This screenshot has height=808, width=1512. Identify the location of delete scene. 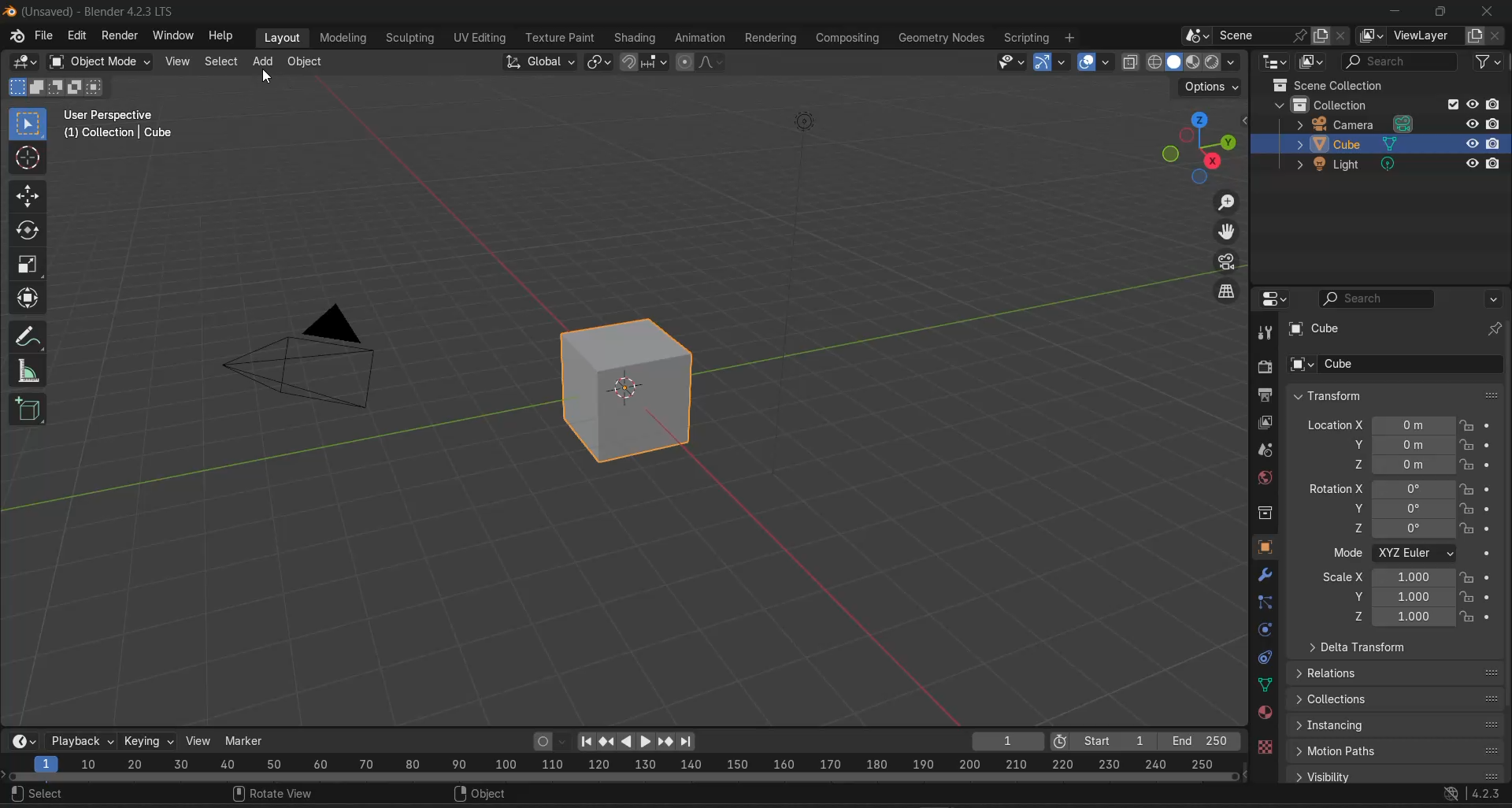
(1340, 35).